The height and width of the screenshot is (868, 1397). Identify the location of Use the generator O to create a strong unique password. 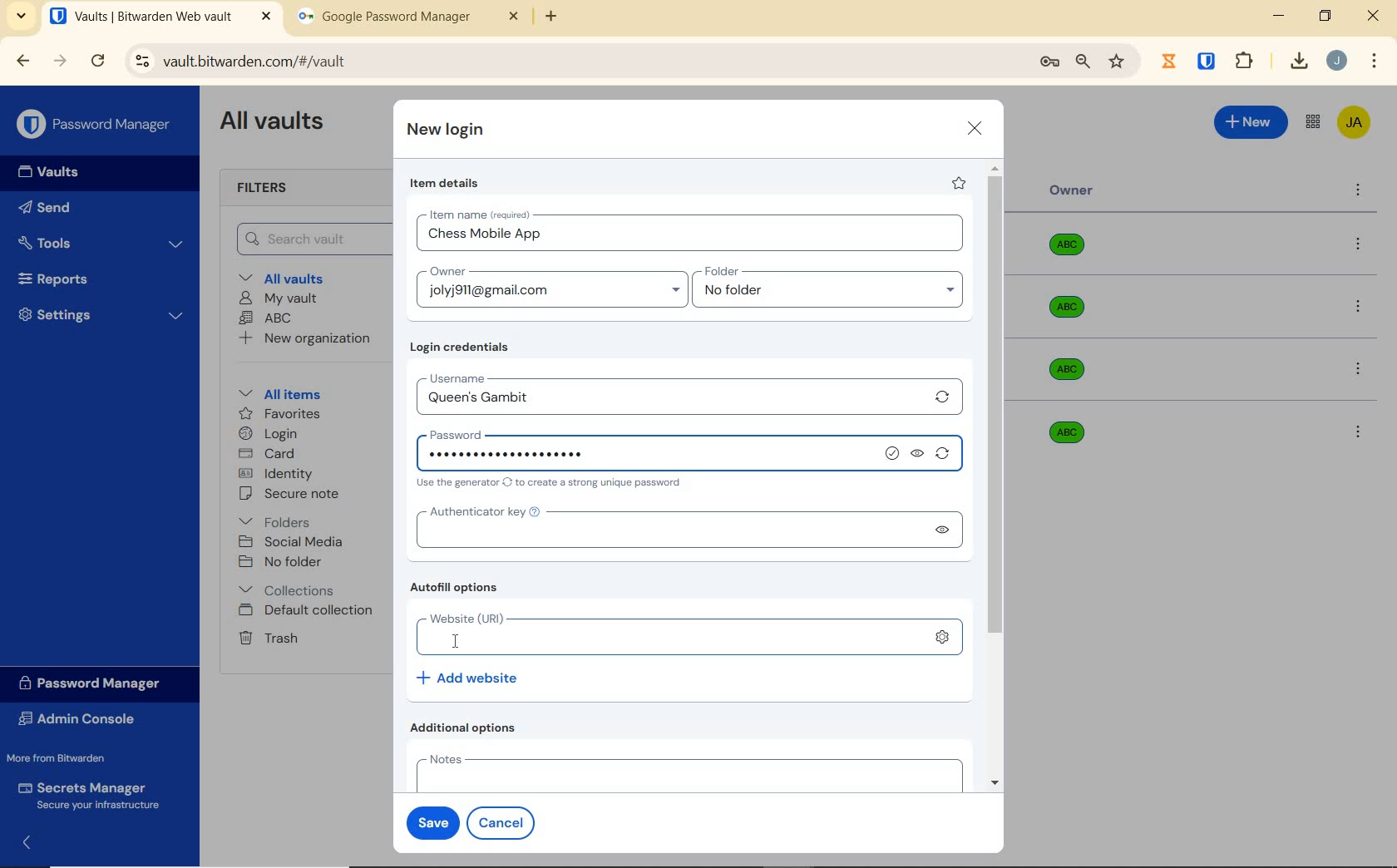
(552, 484).